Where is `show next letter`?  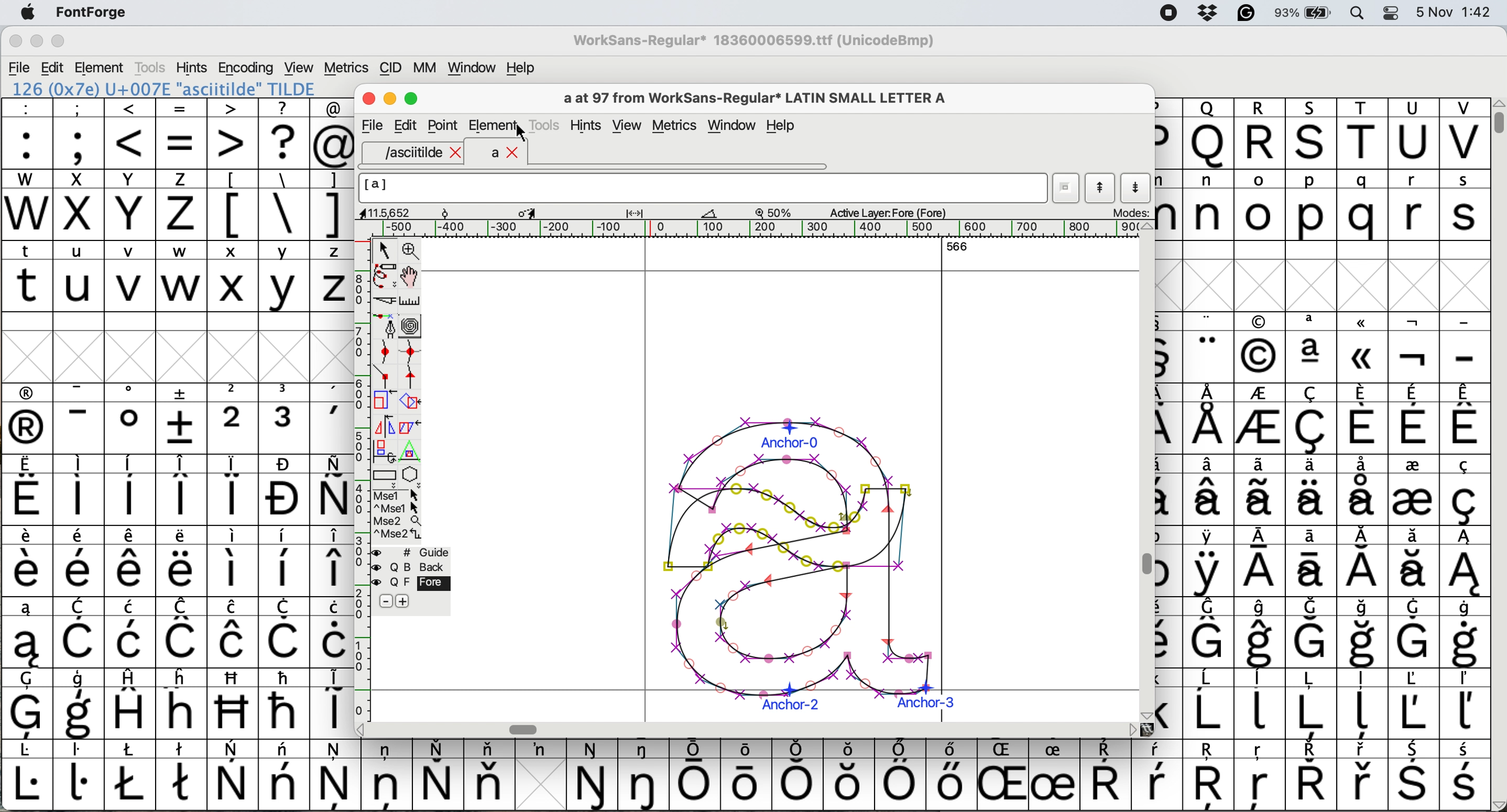 show next letter is located at coordinates (1138, 187).